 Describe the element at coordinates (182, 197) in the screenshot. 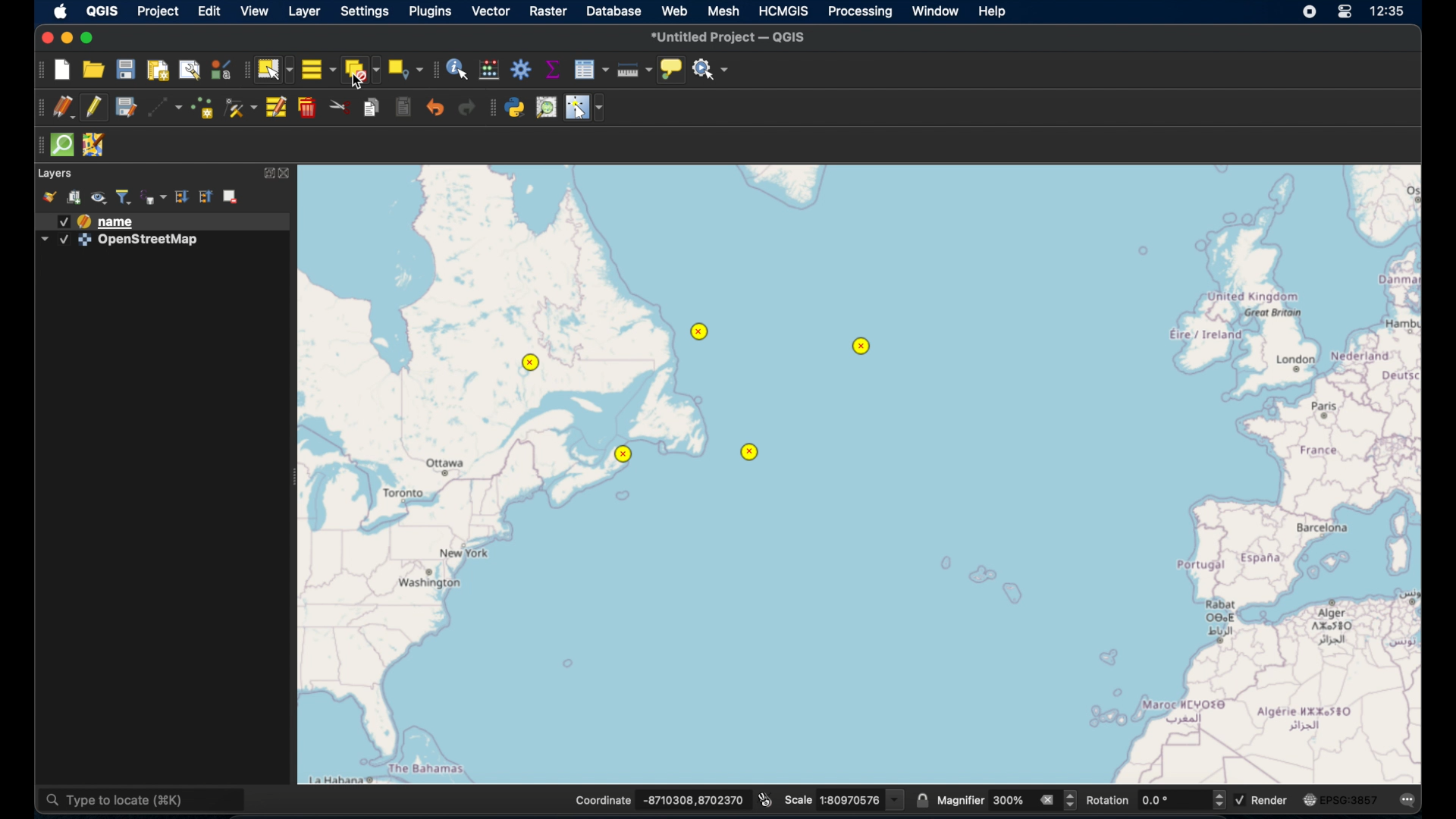

I see `collapse all` at that location.